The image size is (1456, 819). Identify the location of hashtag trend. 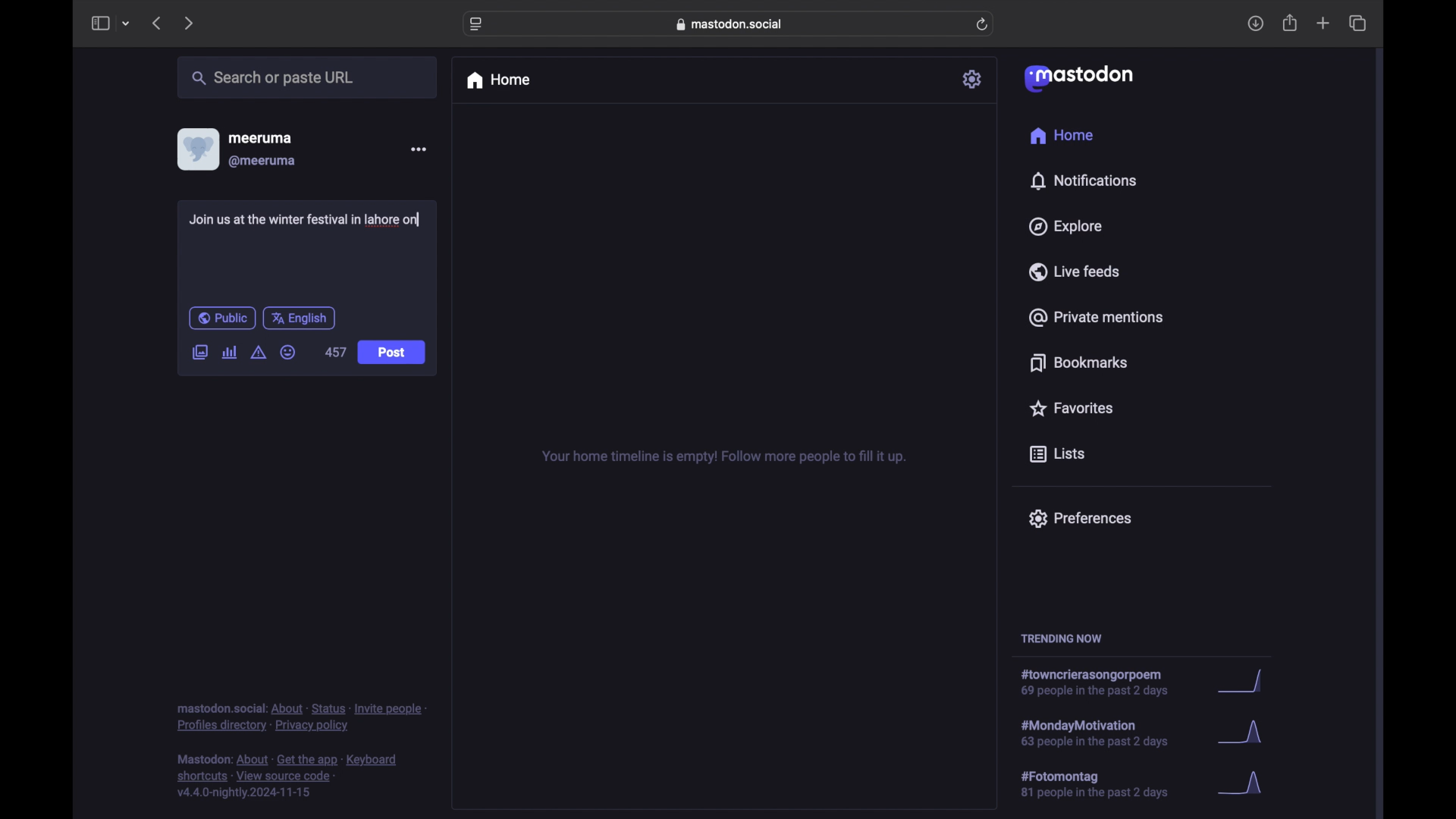
(1105, 785).